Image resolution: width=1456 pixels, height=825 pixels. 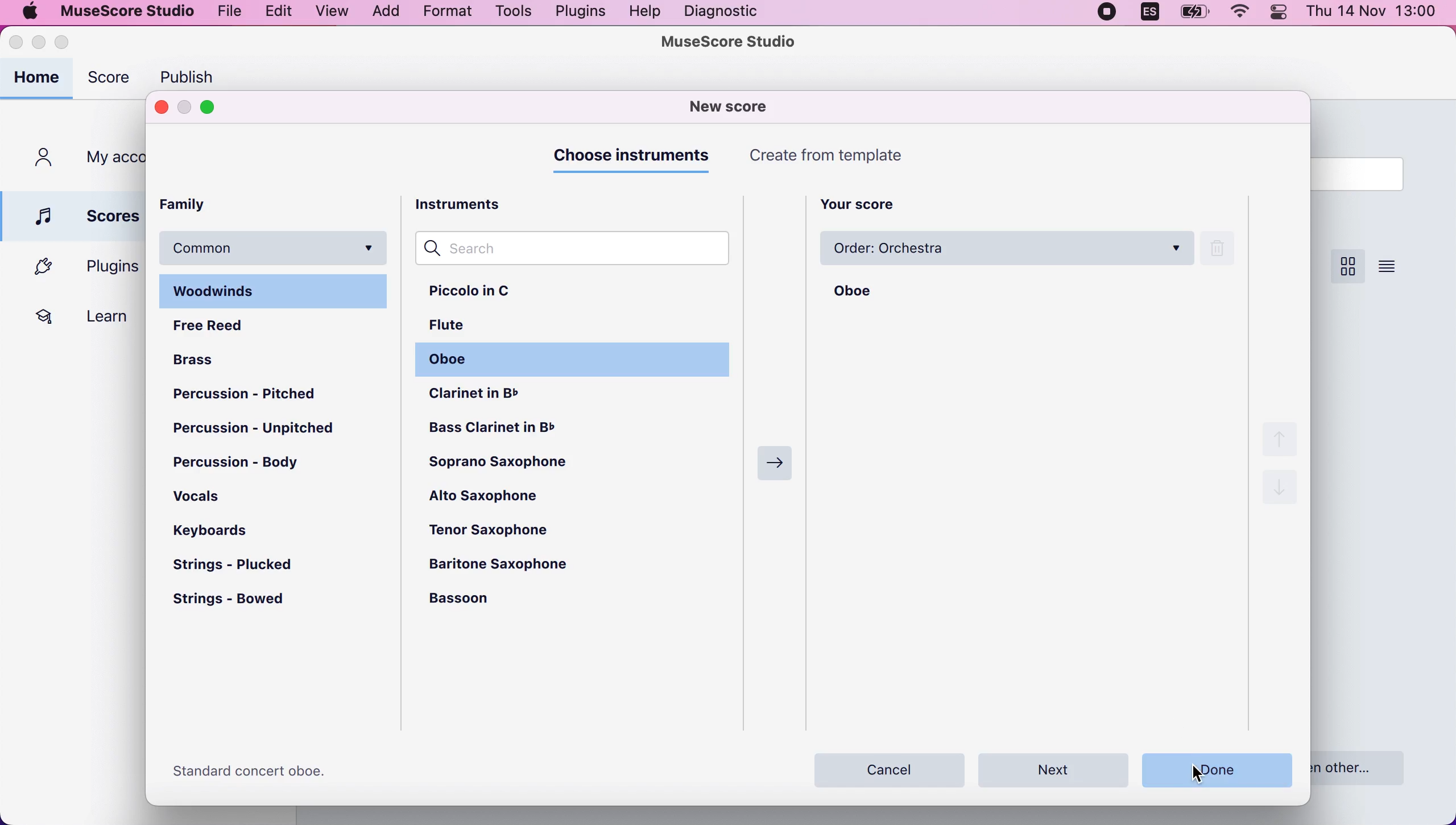 I want to click on diagnostic, so click(x=721, y=12).